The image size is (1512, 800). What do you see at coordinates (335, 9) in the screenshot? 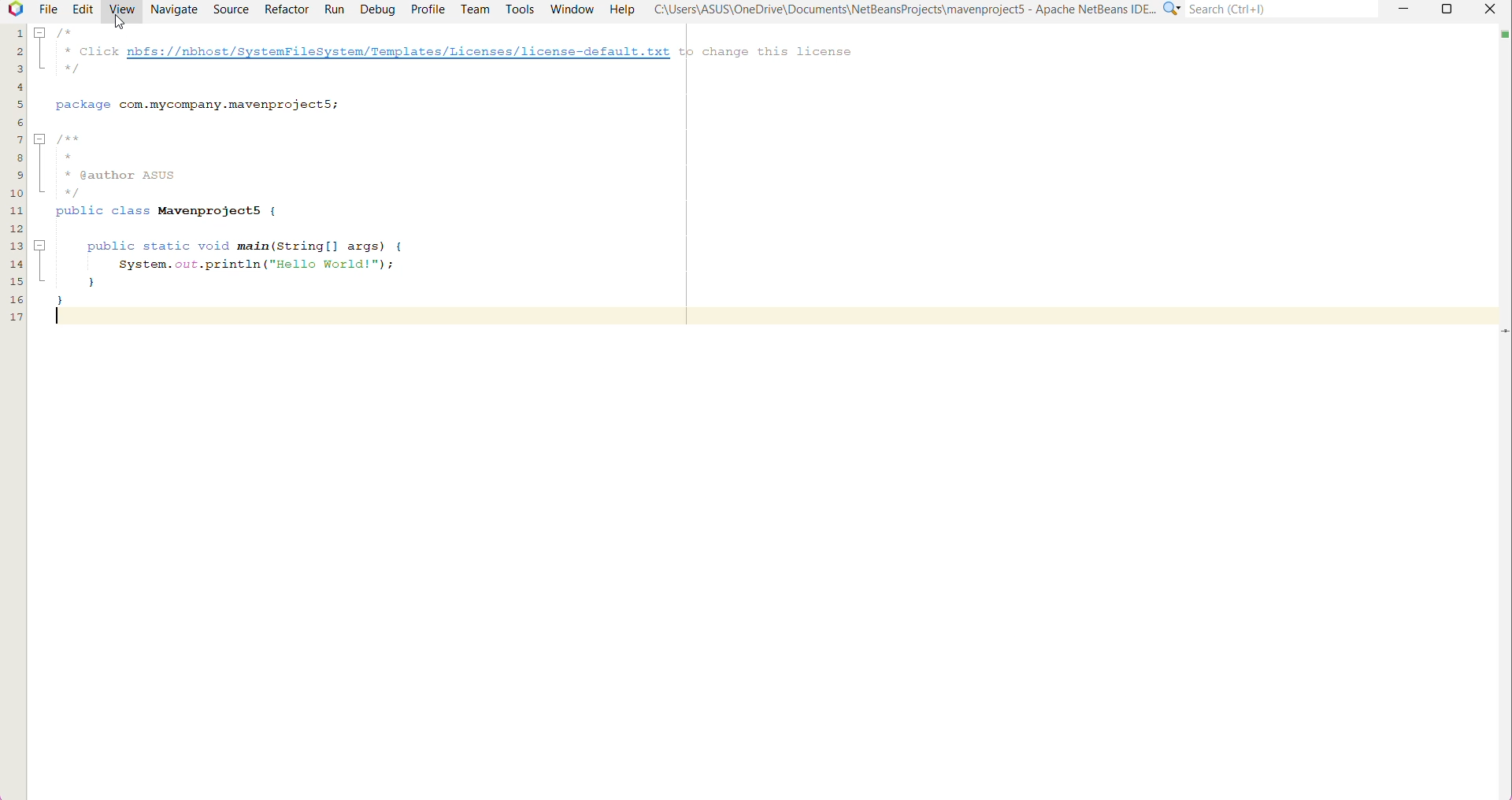
I see `Run` at bounding box center [335, 9].